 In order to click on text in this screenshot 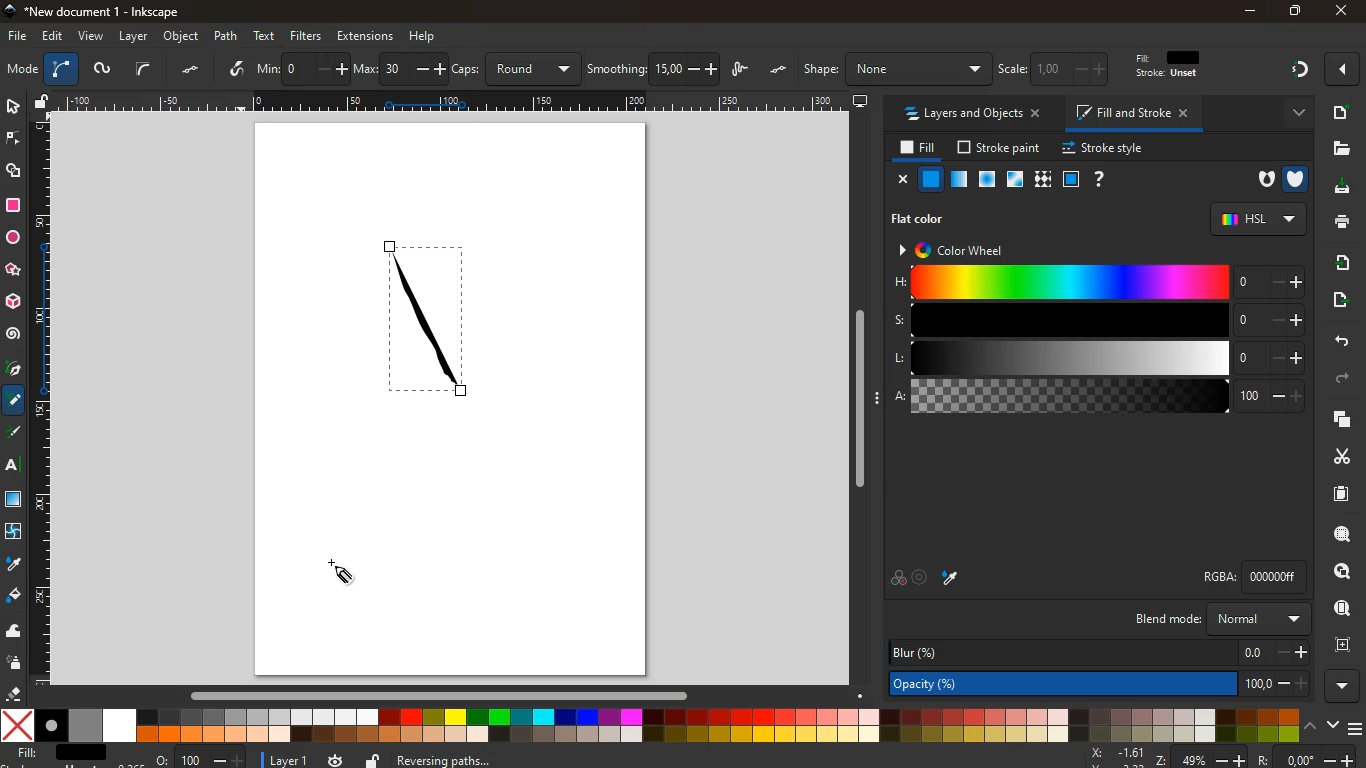, I will do `click(14, 468)`.